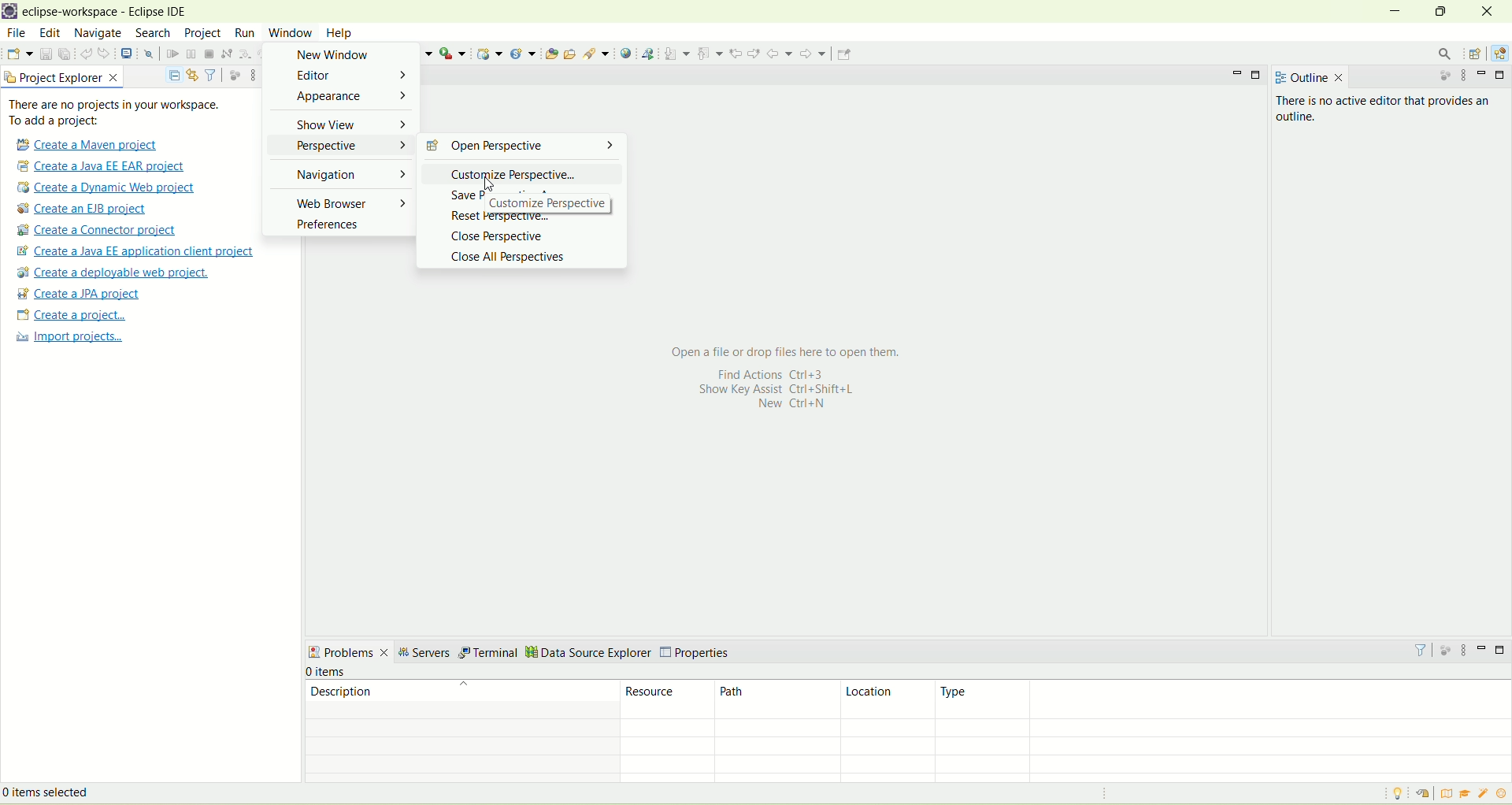 This screenshot has width=1512, height=805. I want to click on search, so click(1447, 54).